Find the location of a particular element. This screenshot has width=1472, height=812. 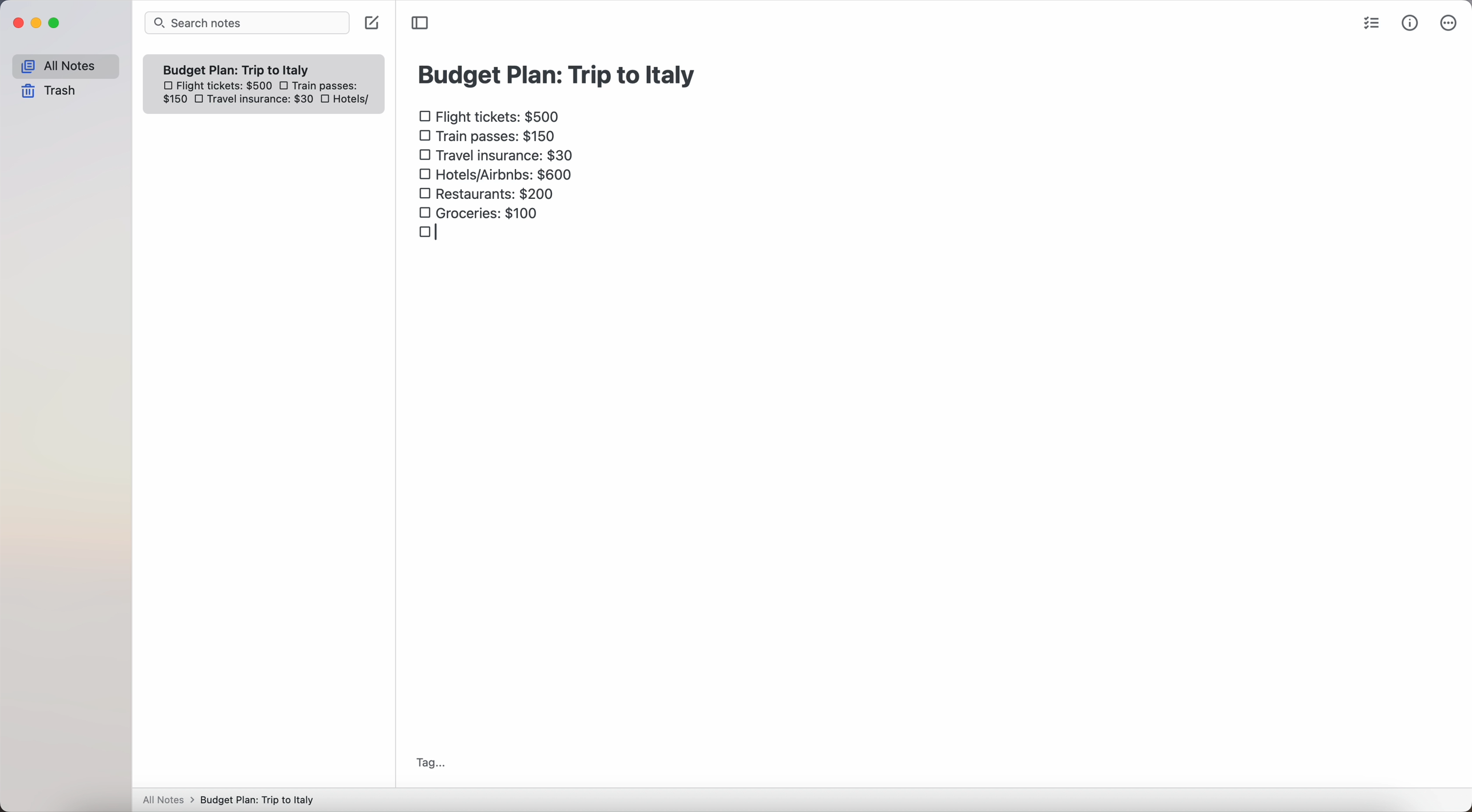

tag is located at coordinates (431, 763).